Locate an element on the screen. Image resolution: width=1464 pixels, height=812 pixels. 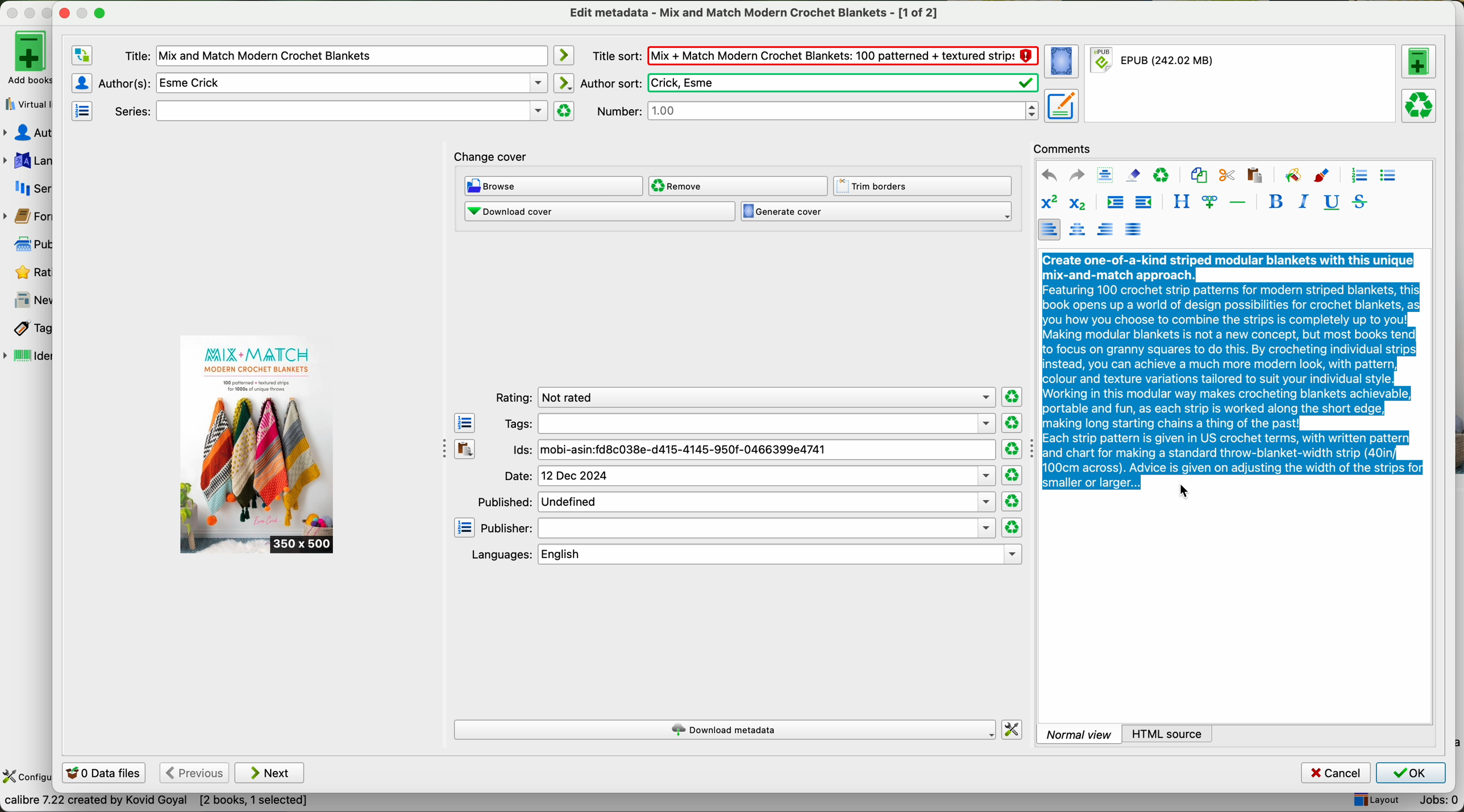
add a format to this book is located at coordinates (1419, 61).